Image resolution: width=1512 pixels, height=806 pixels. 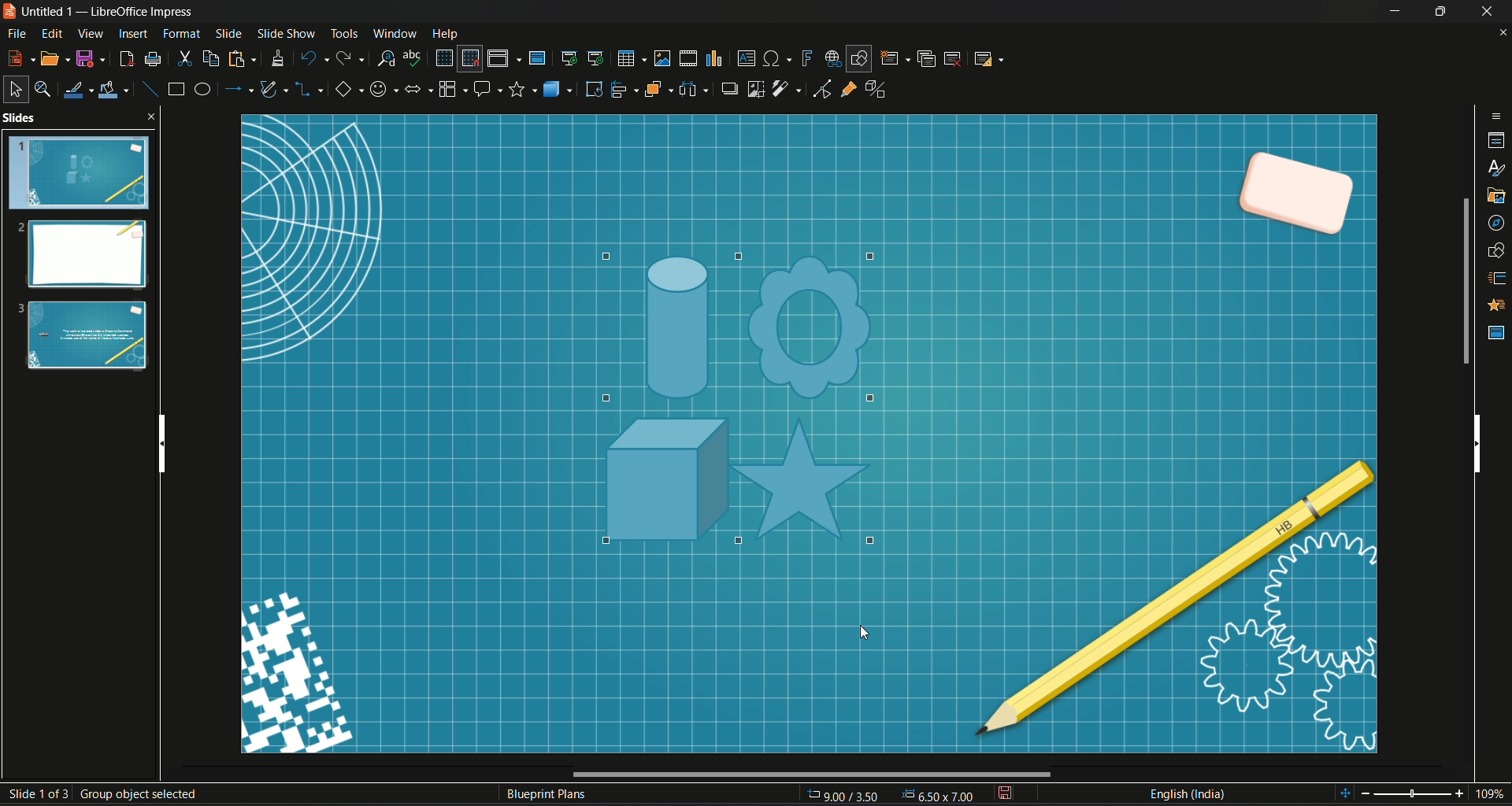 What do you see at coordinates (185, 59) in the screenshot?
I see `cut` at bounding box center [185, 59].